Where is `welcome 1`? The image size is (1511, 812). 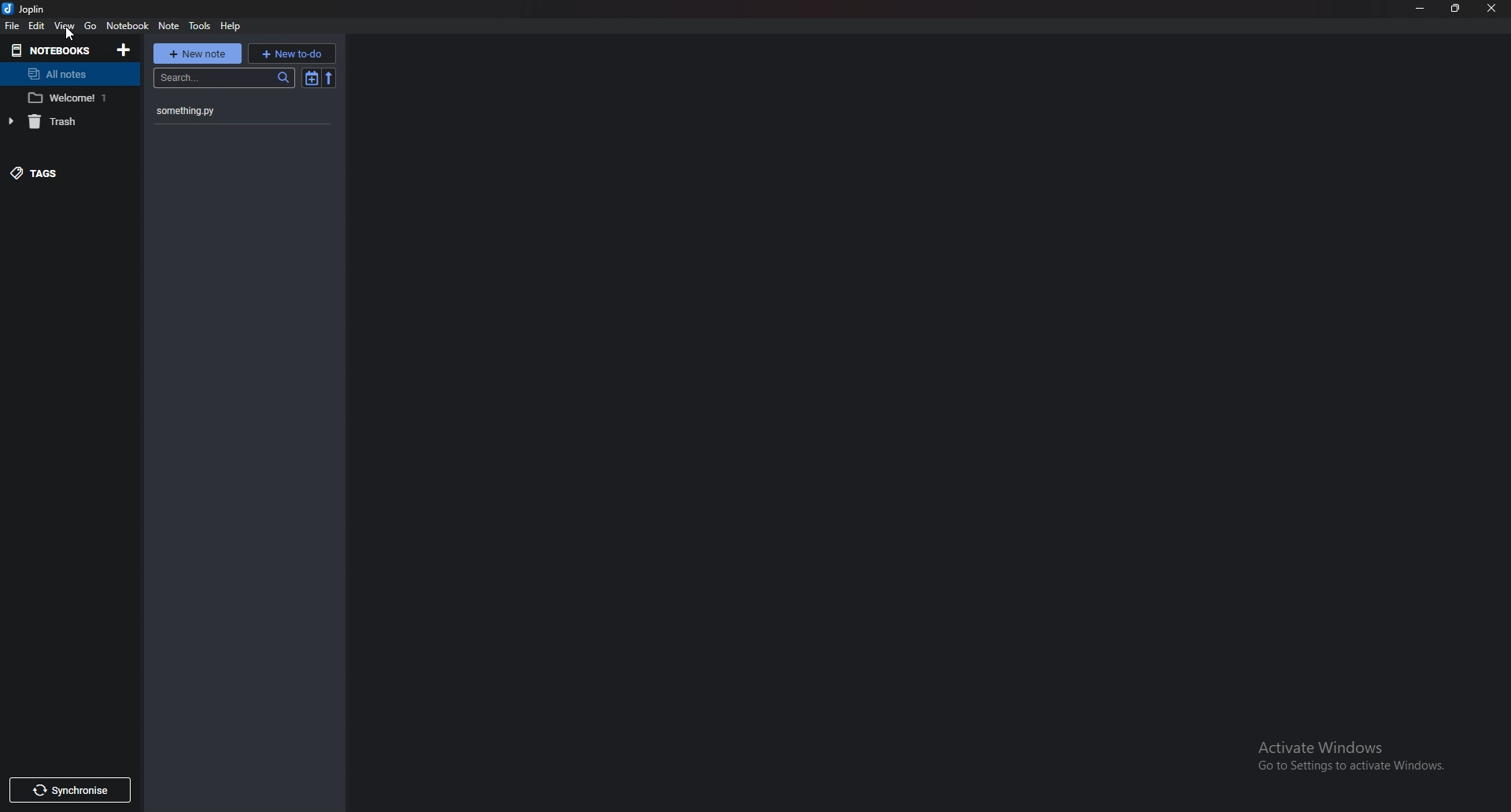
welcome 1 is located at coordinates (70, 99).